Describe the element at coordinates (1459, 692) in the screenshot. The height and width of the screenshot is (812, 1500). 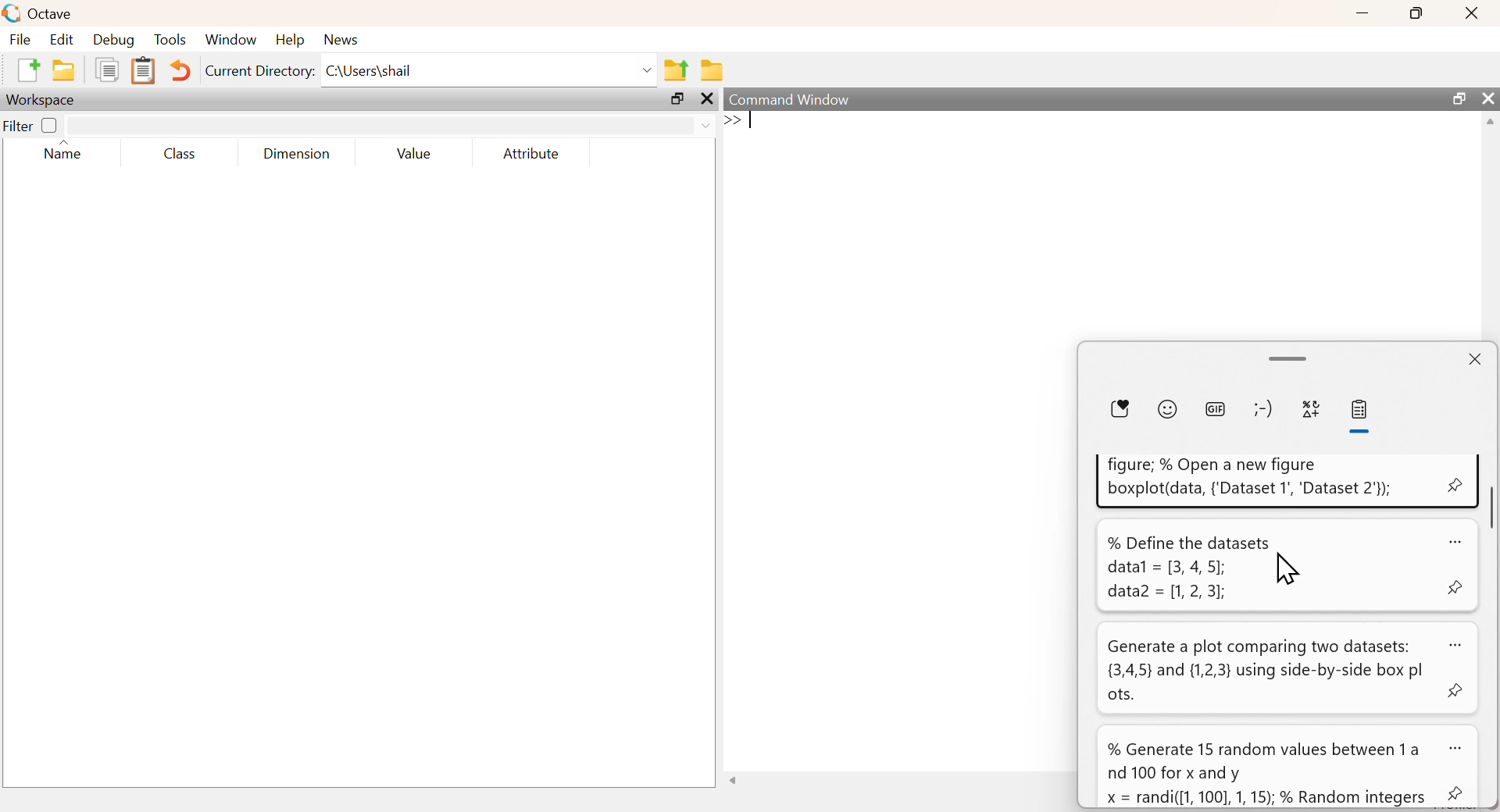
I see `pin` at that location.